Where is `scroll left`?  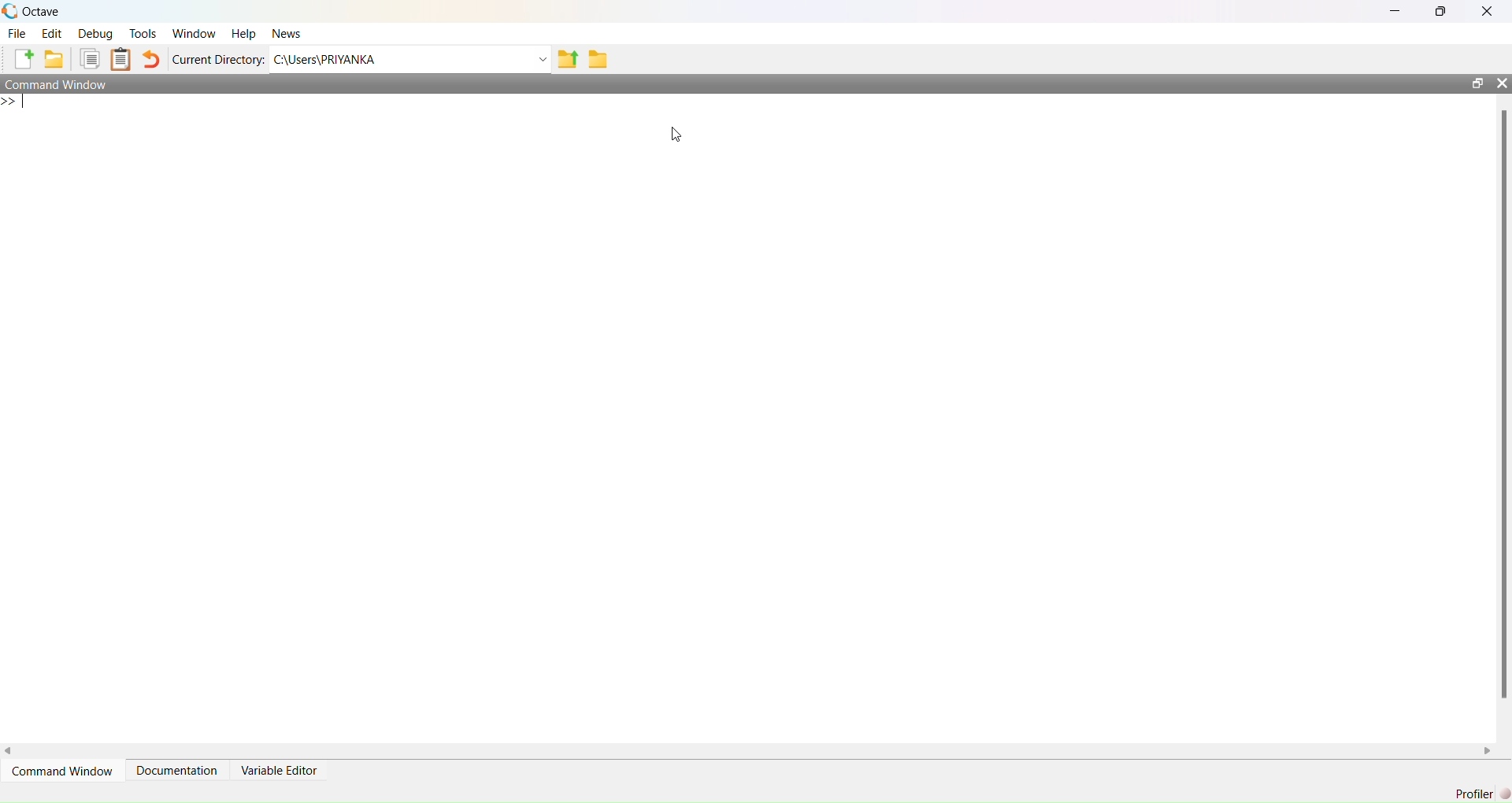 scroll left is located at coordinates (11, 751).